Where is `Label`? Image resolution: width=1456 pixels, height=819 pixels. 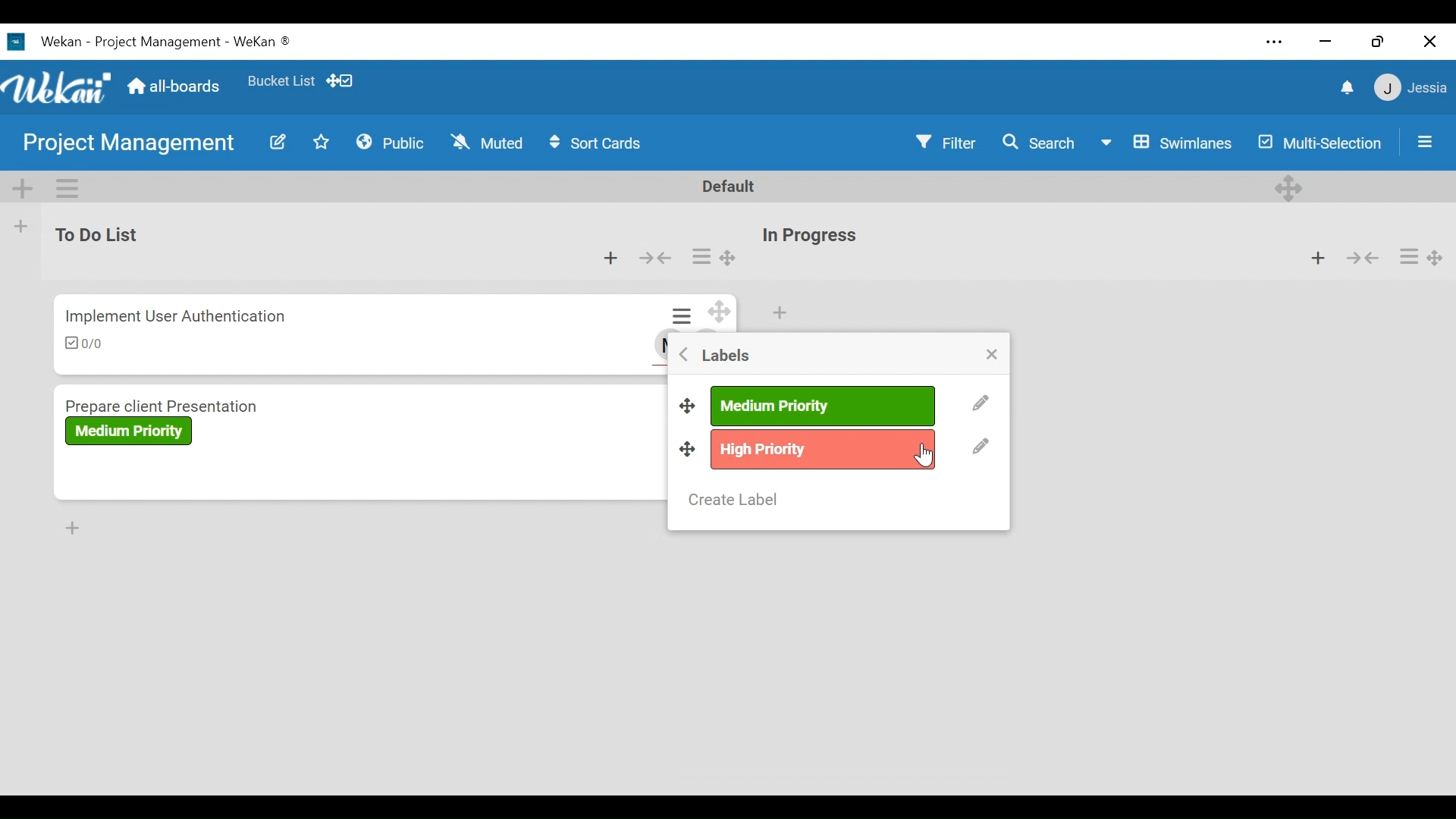 Label is located at coordinates (129, 431).